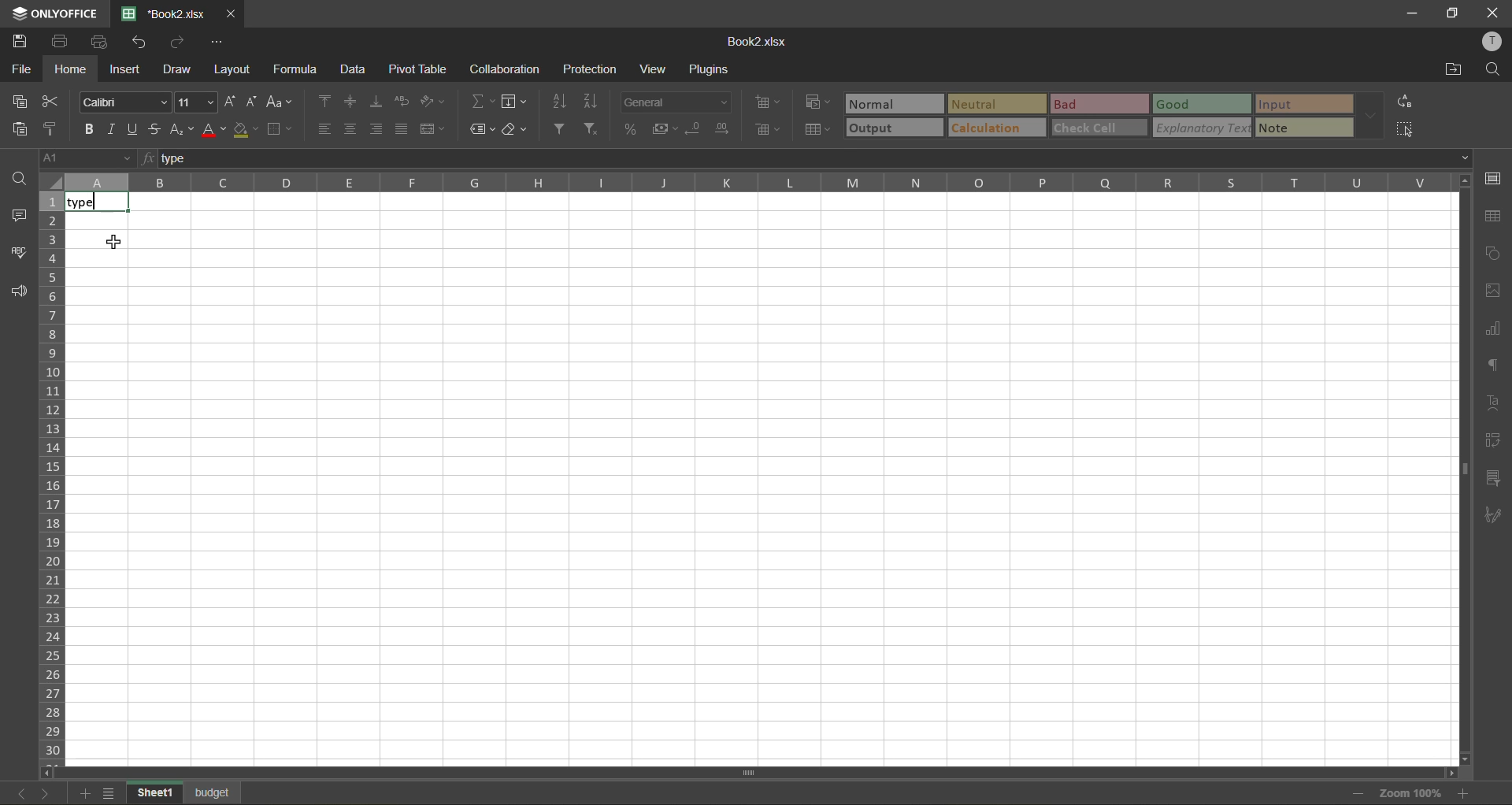  Describe the element at coordinates (633, 129) in the screenshot. I see `percent` at that location.